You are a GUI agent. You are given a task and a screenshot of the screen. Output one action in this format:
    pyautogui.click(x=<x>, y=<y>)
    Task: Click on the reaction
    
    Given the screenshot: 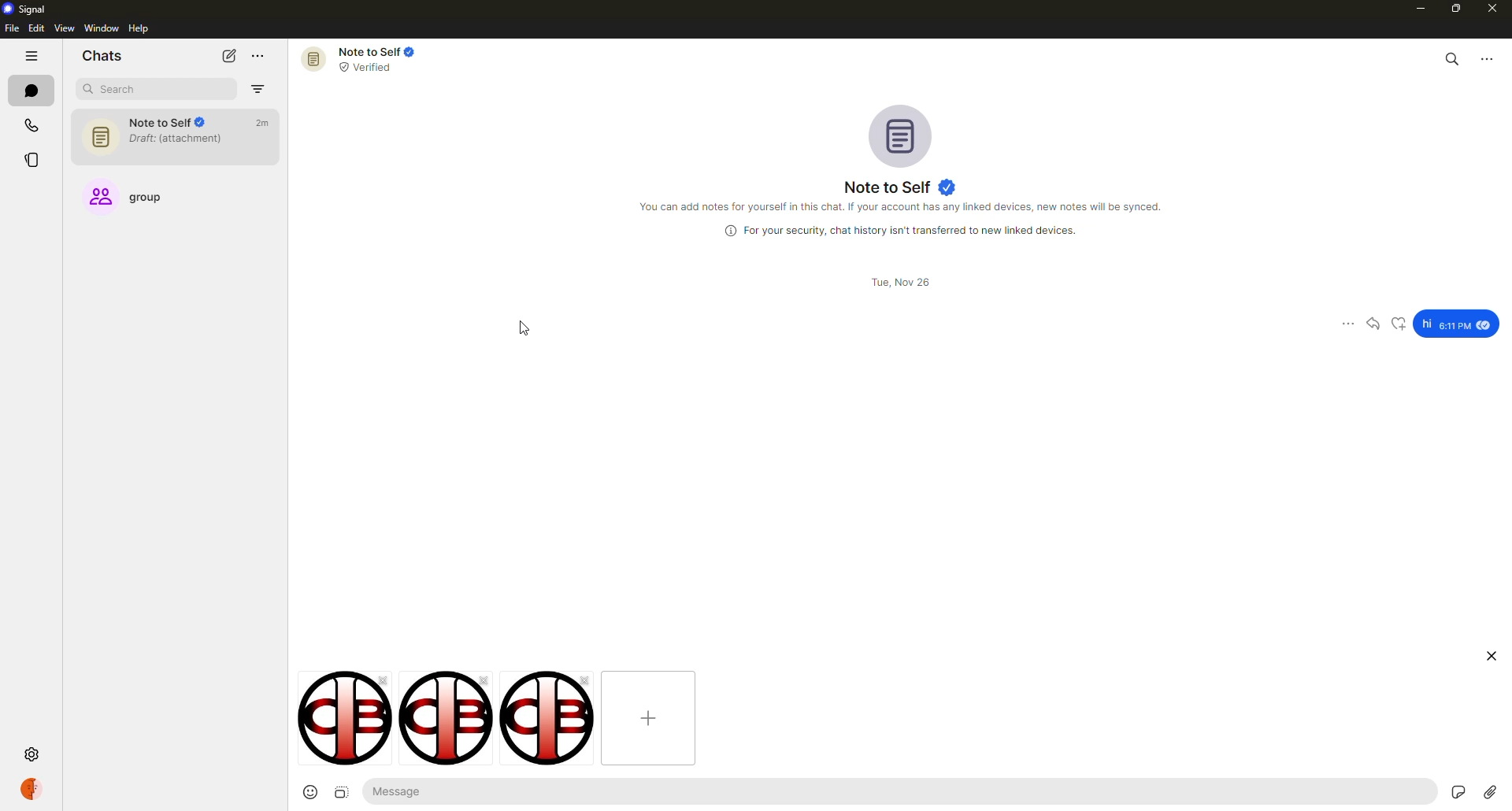 What is the action you would take?
    pyautogui.click(x=1401, y=324)
    